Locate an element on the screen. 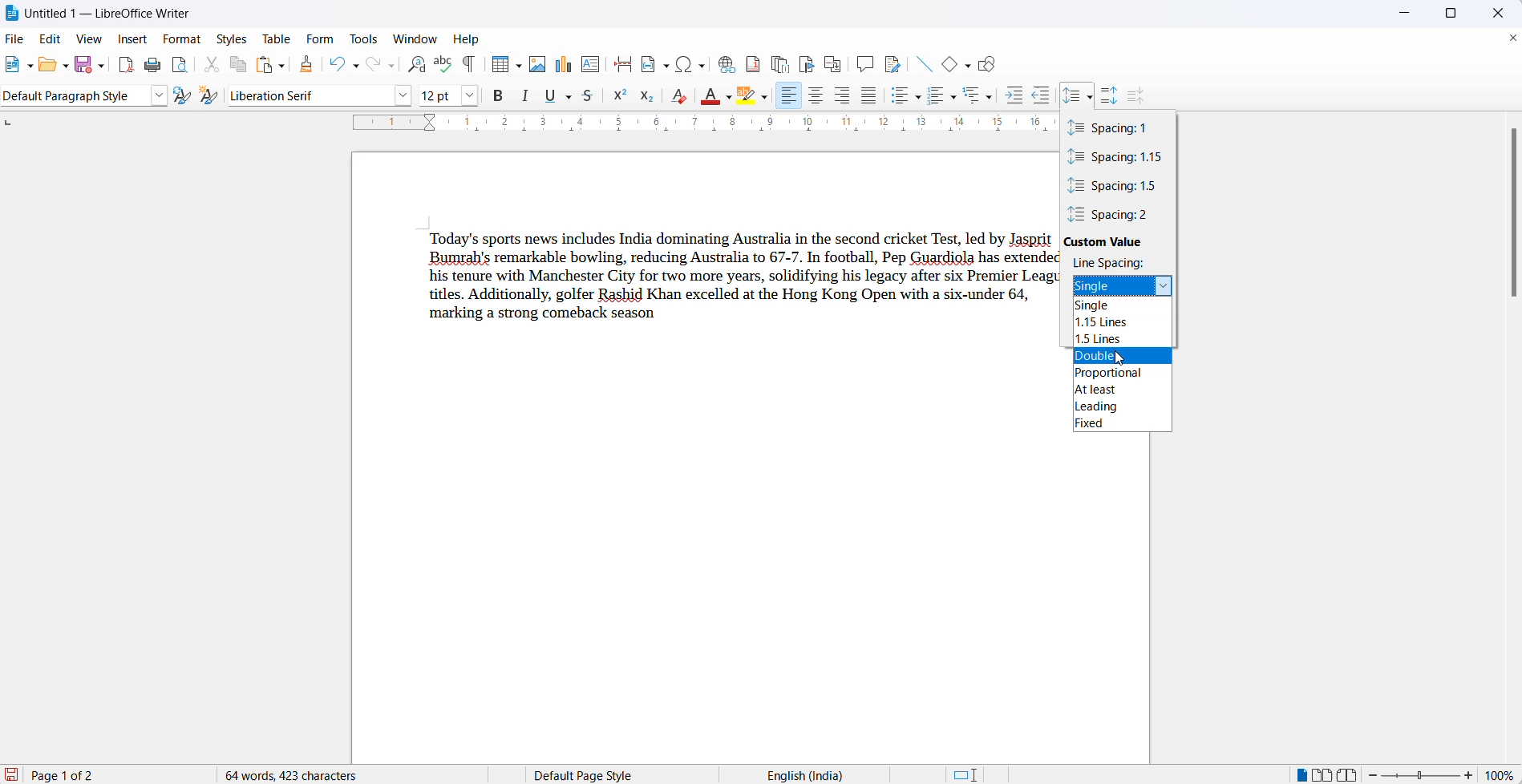 This screenshot has height=784, width=1522. vertical scrollbar is located at coordinates (1508, 219).